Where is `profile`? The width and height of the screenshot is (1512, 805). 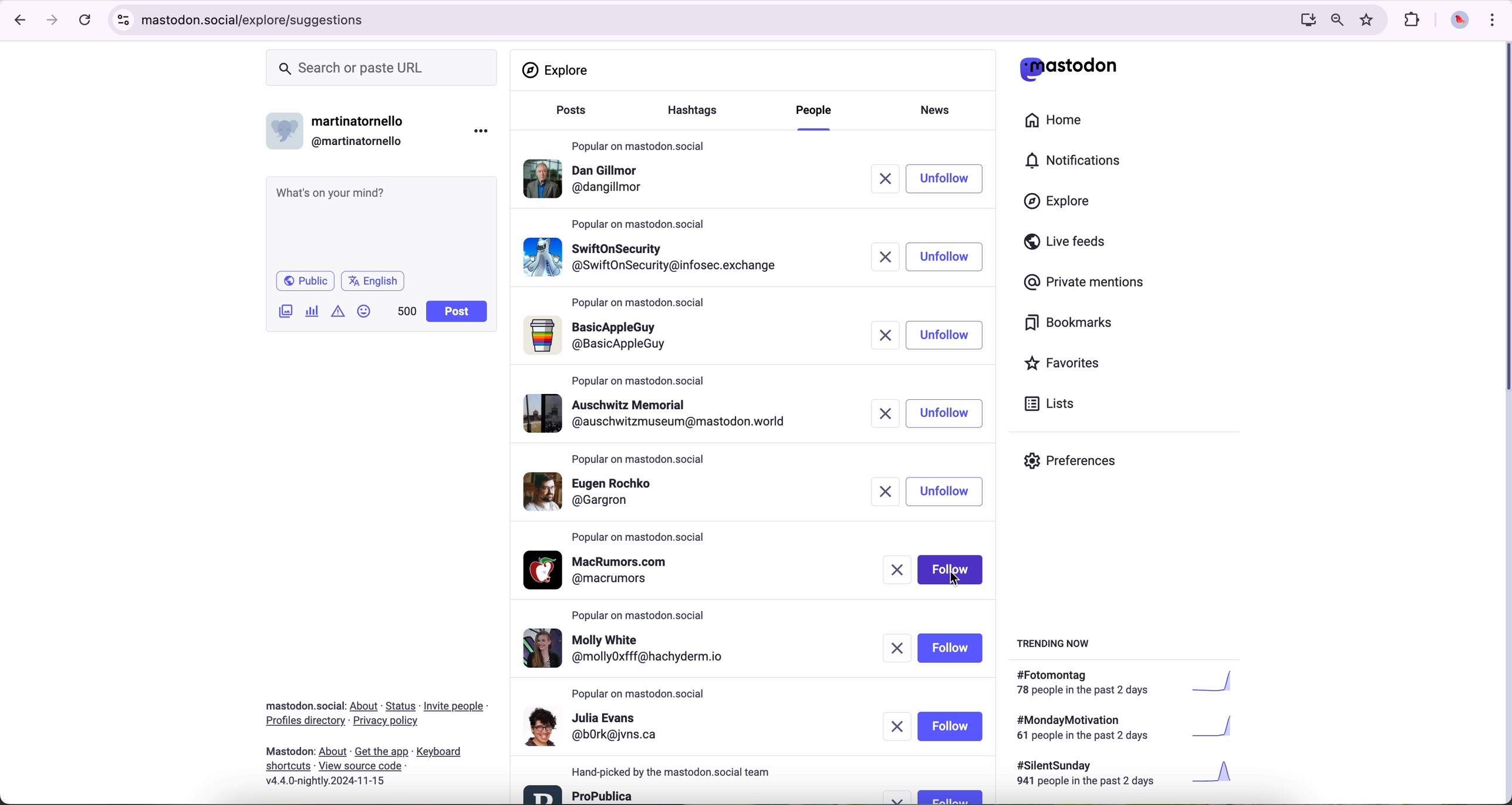 profile is located at coordinates (601, 336).